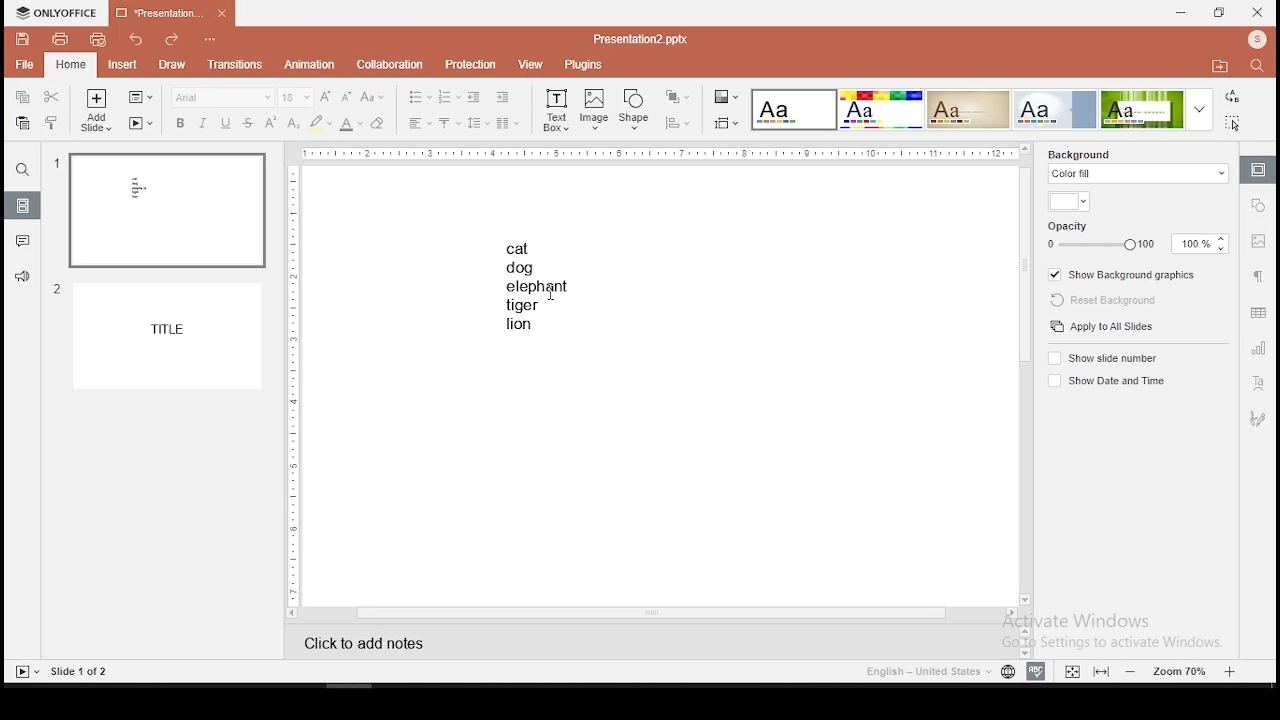 The width and height of the screenshot is (1280, 720). What do you see at coordinates (136, 39) in the screenshot?
I see `undo` at bounding box center [136, 39].